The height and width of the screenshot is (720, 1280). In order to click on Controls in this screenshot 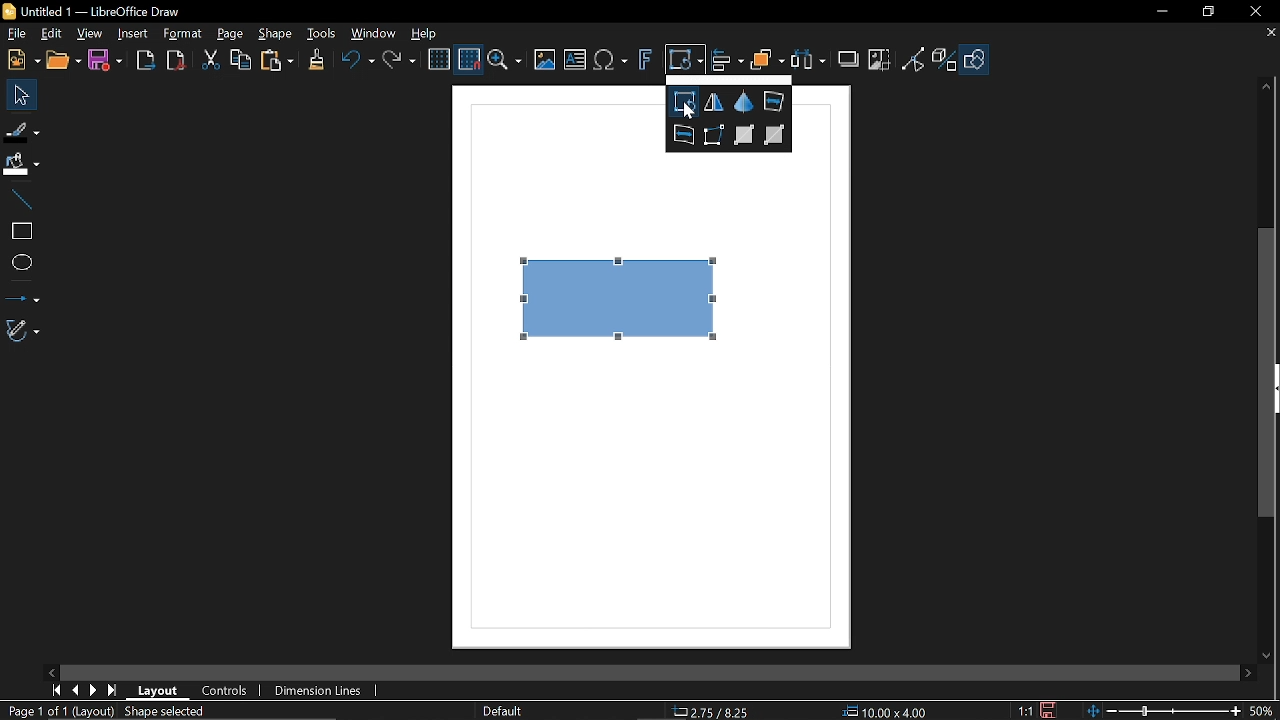, I will do `click(226, 690)`.